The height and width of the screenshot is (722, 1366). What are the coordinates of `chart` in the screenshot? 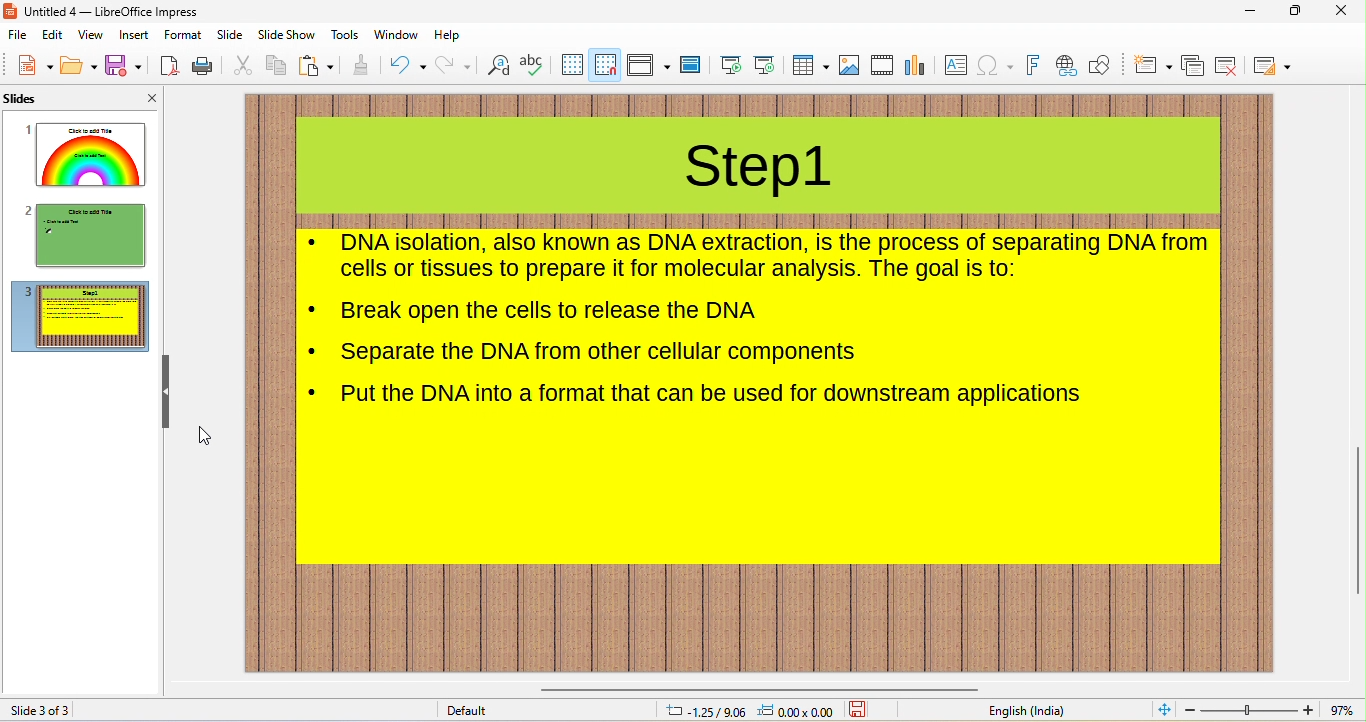 It's located at (917, 65).